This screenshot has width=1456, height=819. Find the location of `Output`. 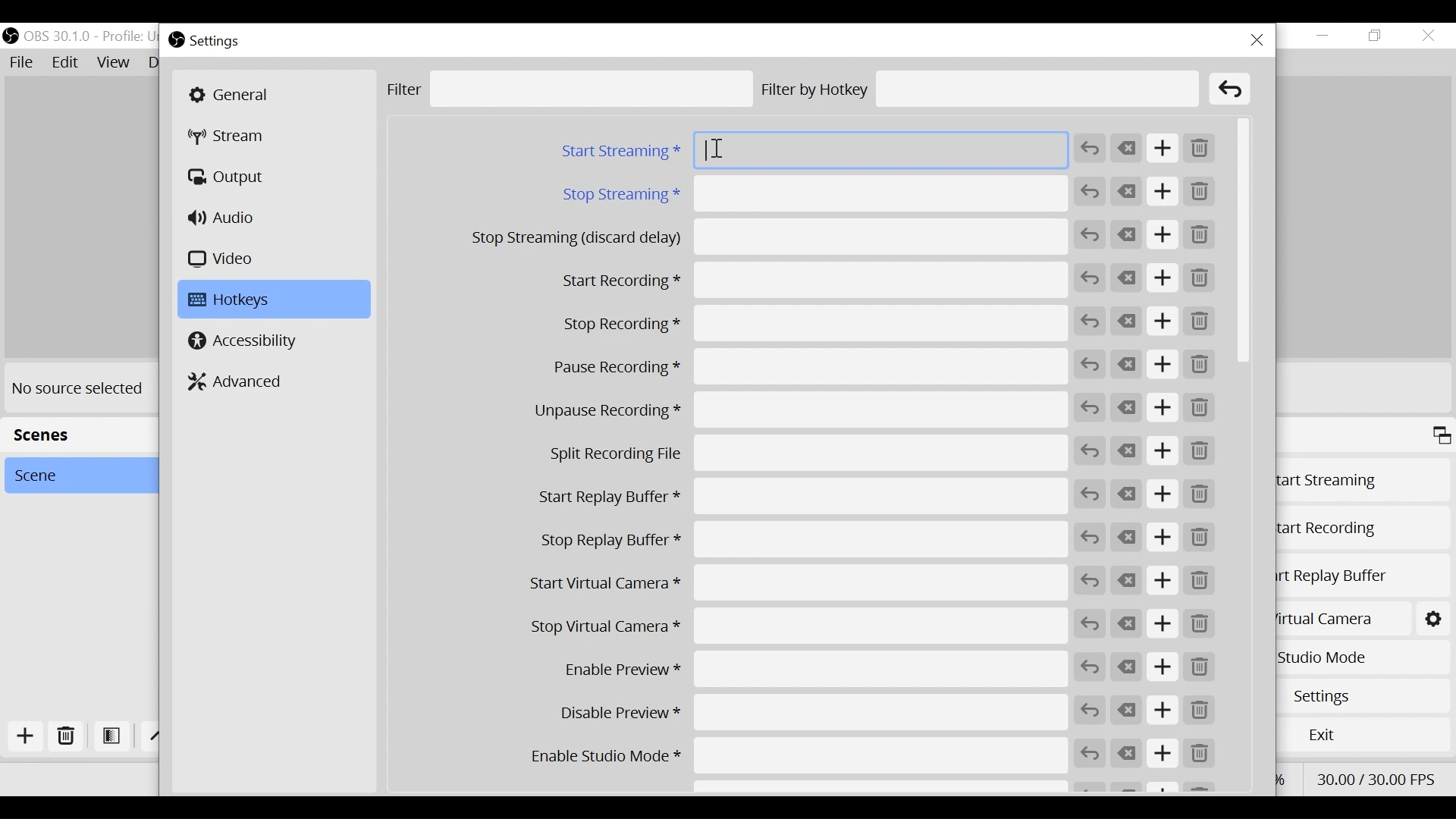

Output is located at coordinates (231, 177).